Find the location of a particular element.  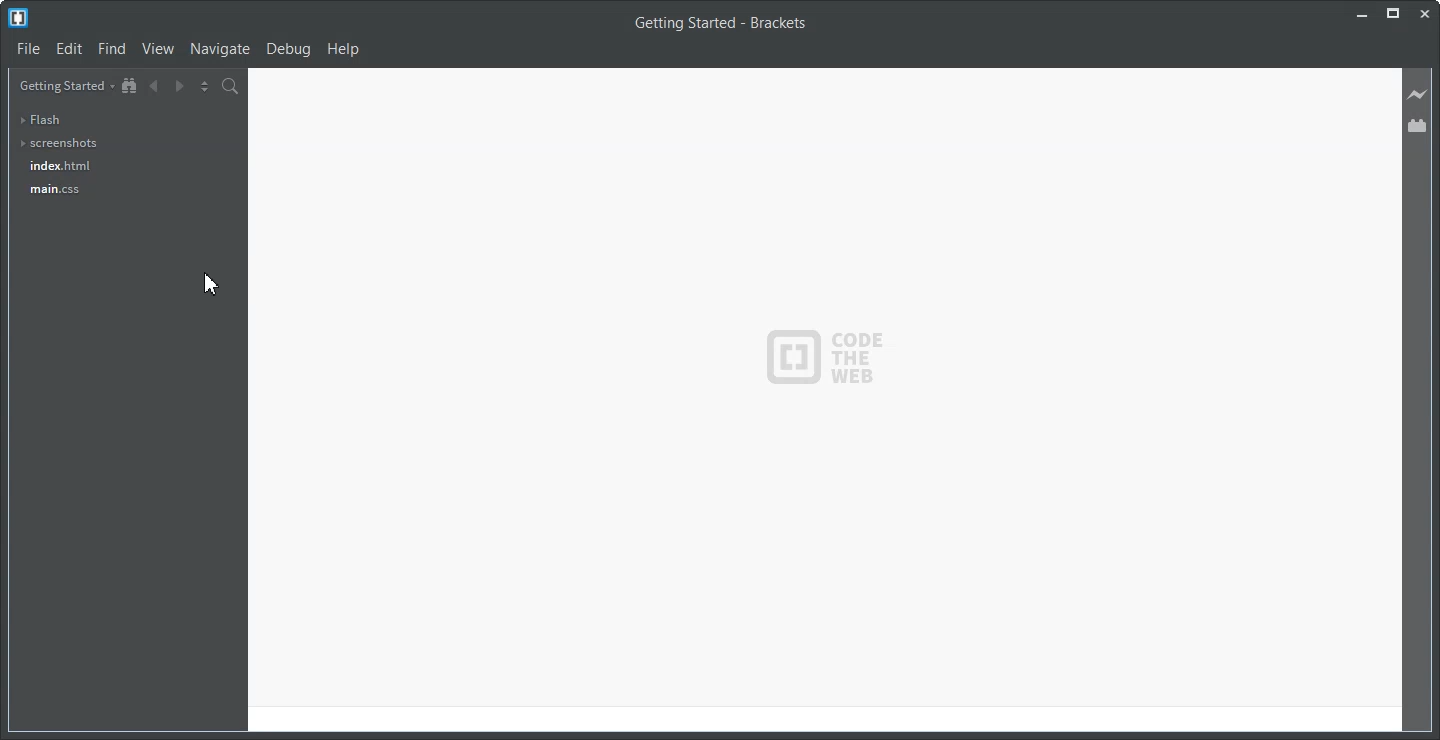

Cursor is located at coordinates (211, 284).